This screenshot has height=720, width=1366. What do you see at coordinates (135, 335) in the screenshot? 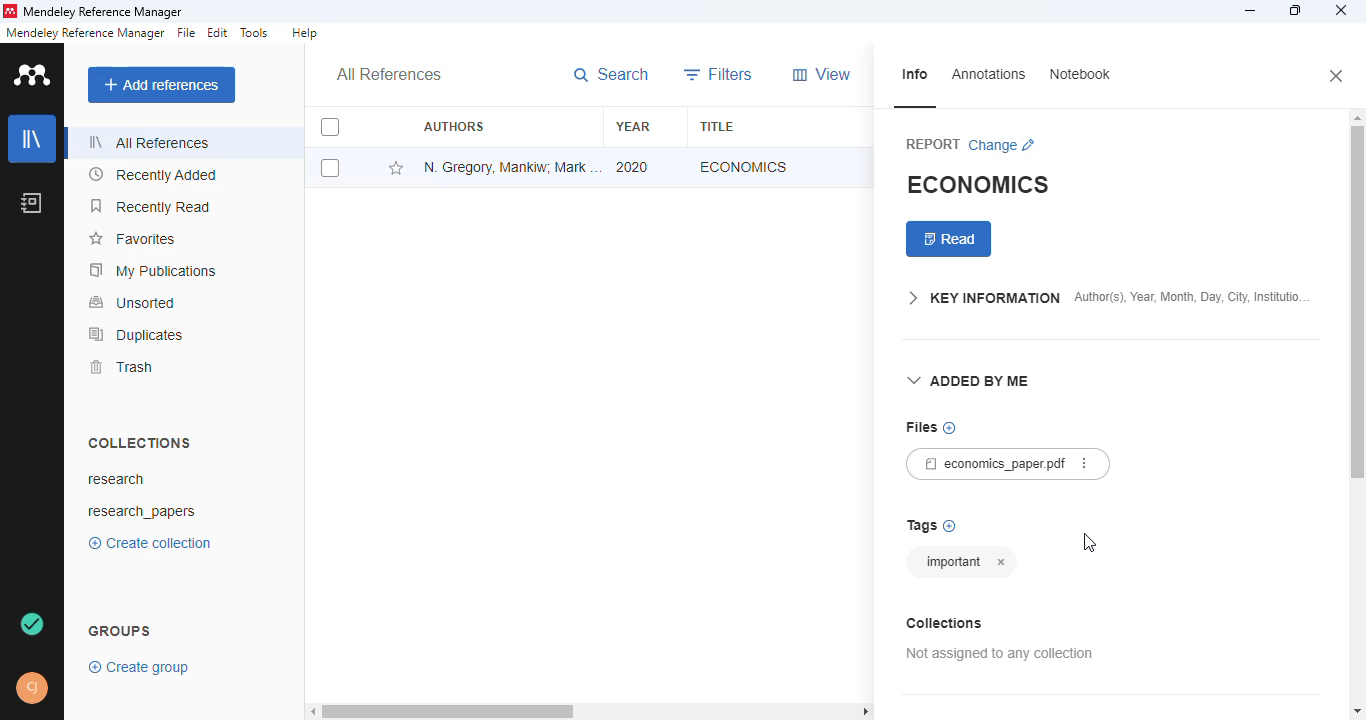
I see `duplicates` at bounding box center [135, 335].